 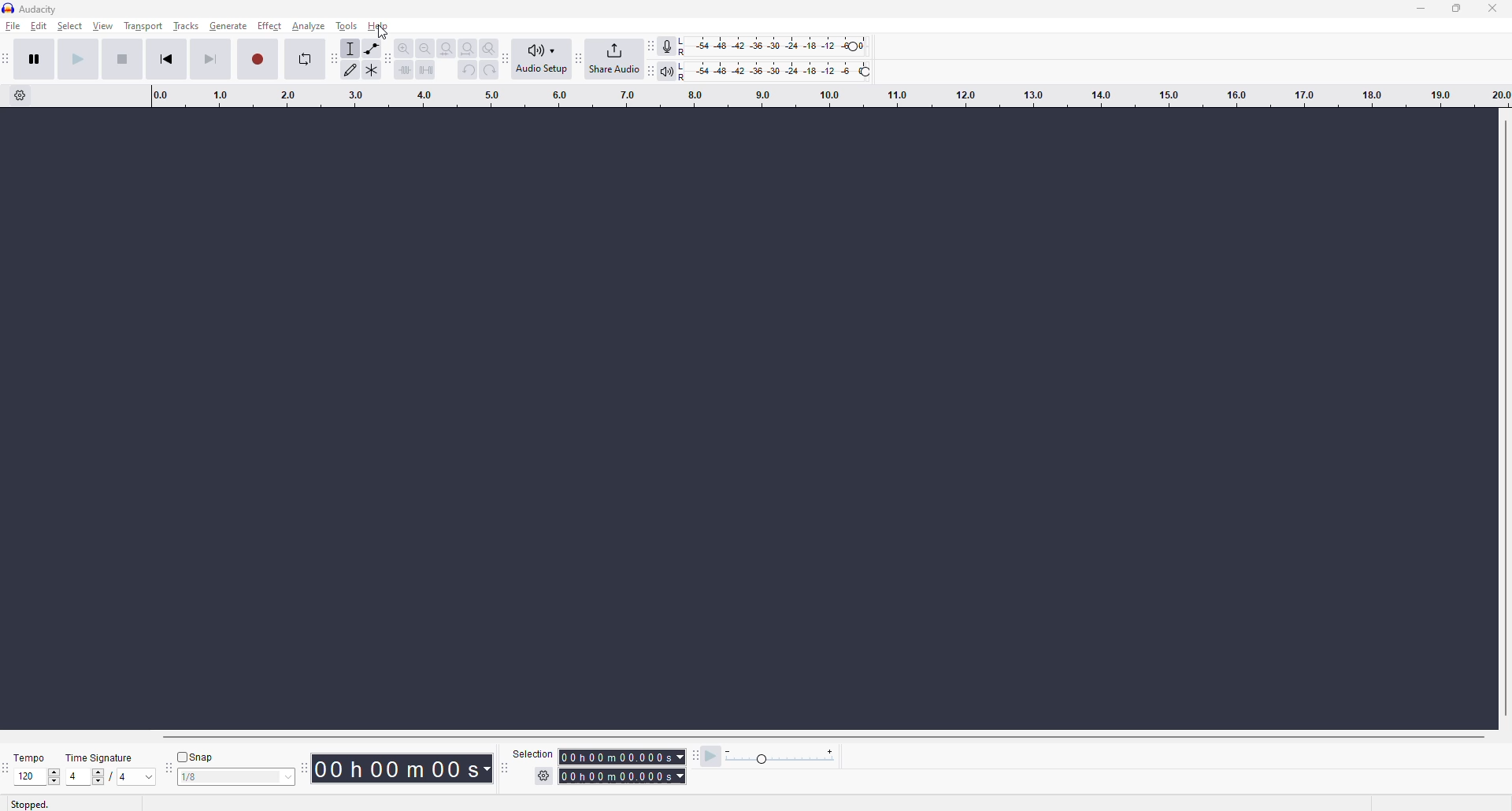 I want to click on file, so click(x=13, y=28).